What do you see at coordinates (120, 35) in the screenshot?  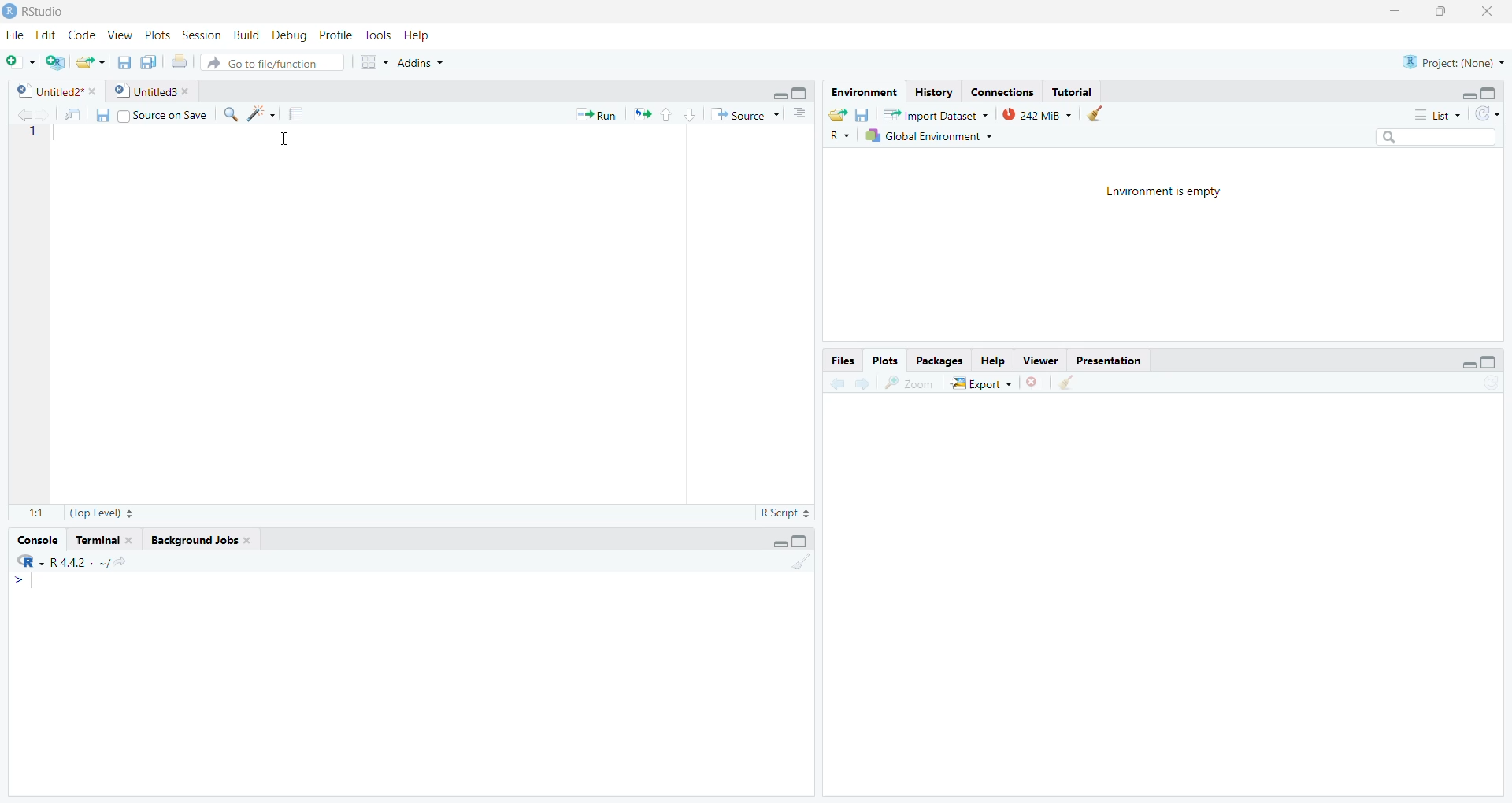 I see `View` at bounding box center [120, 35].